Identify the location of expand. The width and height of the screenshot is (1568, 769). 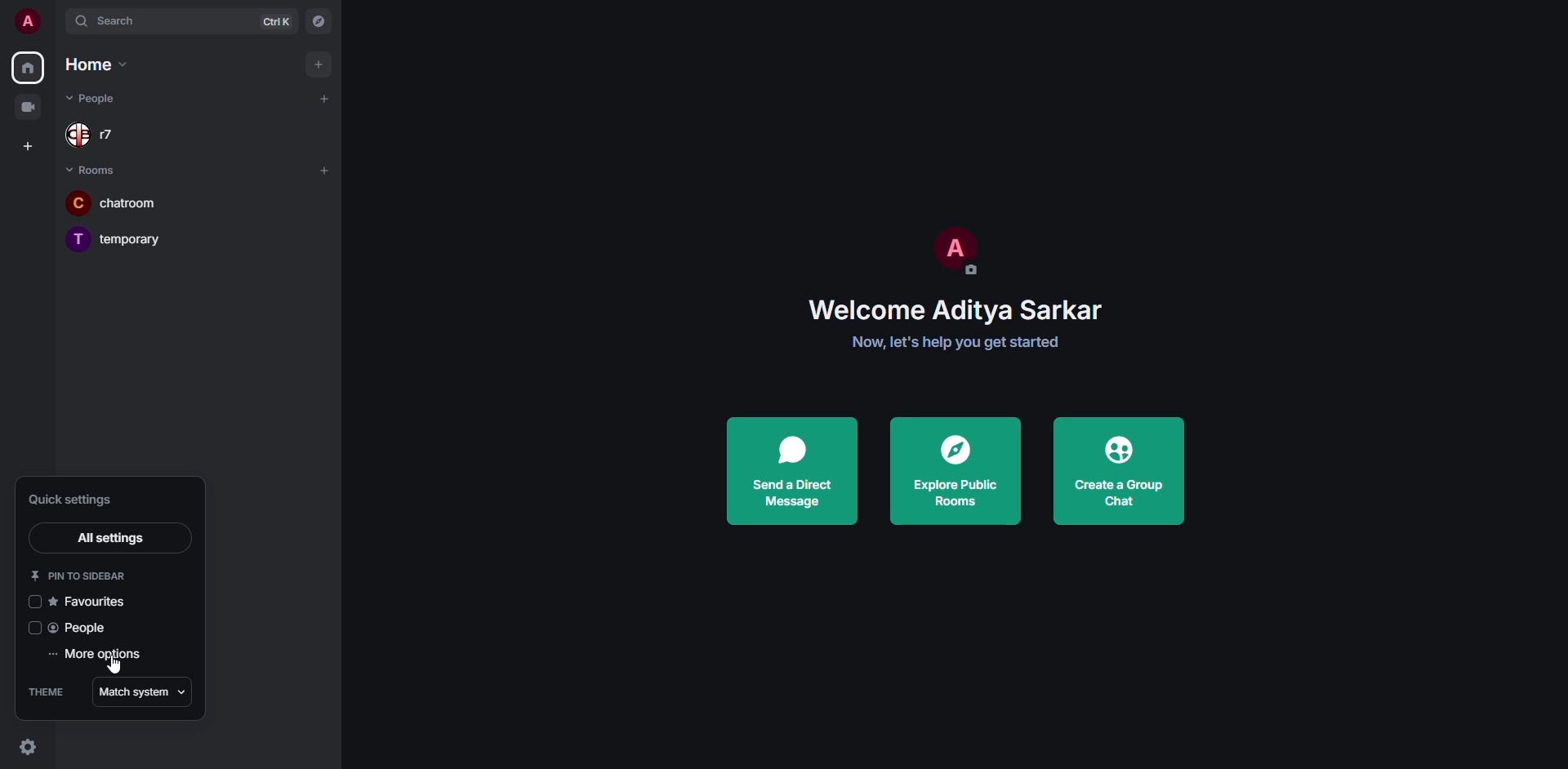
(56, 23).